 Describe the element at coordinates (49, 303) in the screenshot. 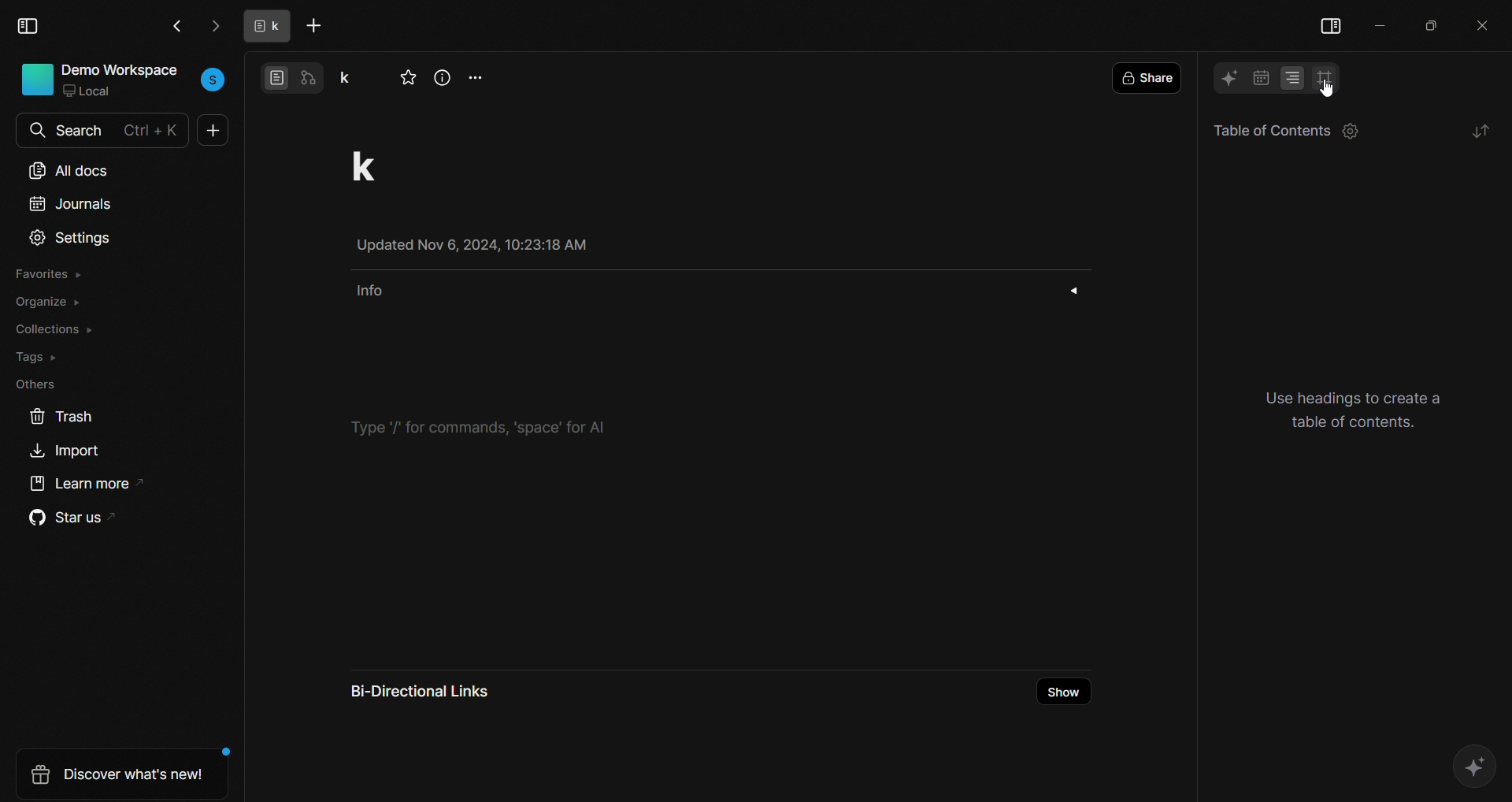

I see `organize` at that location.